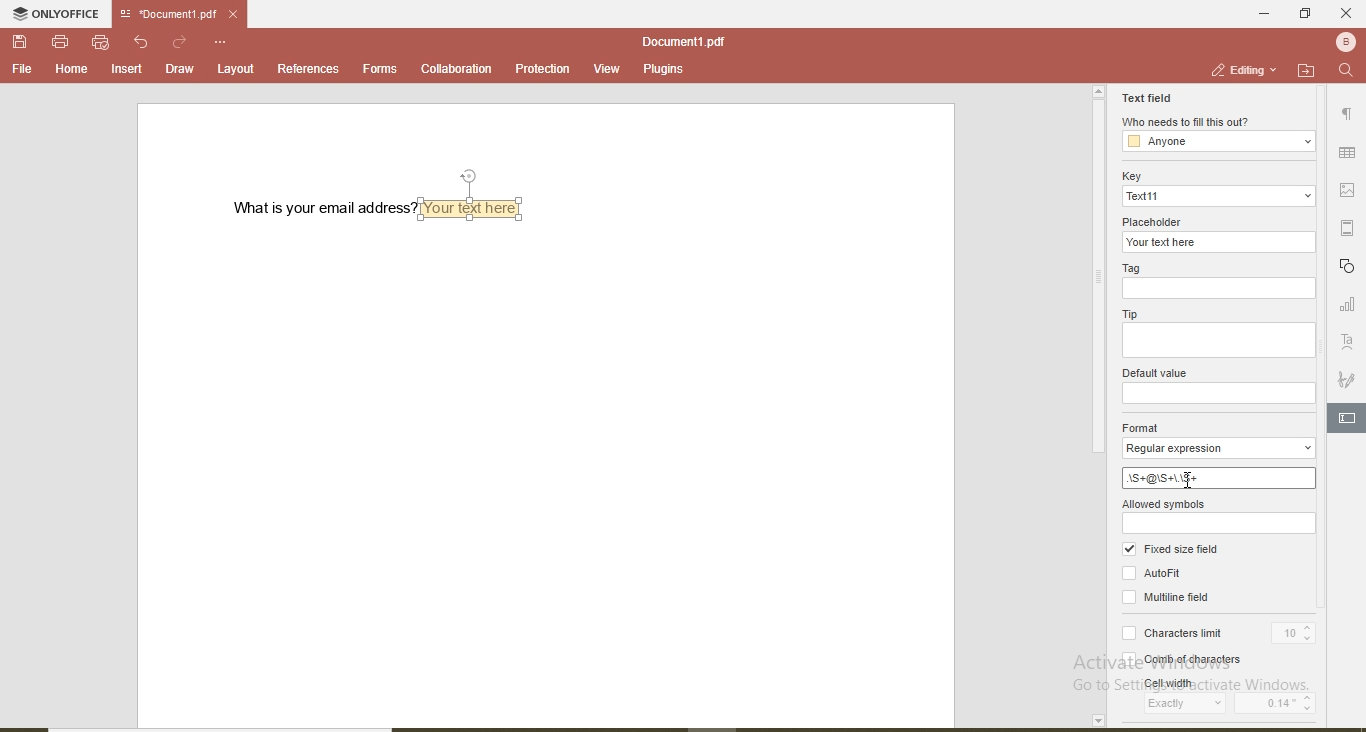 The height and width of the screenshot is (732, 1366). Describe the element at coordinates (1185, 122) in the screenshot. I see `who needs to fill this out?` at that location.